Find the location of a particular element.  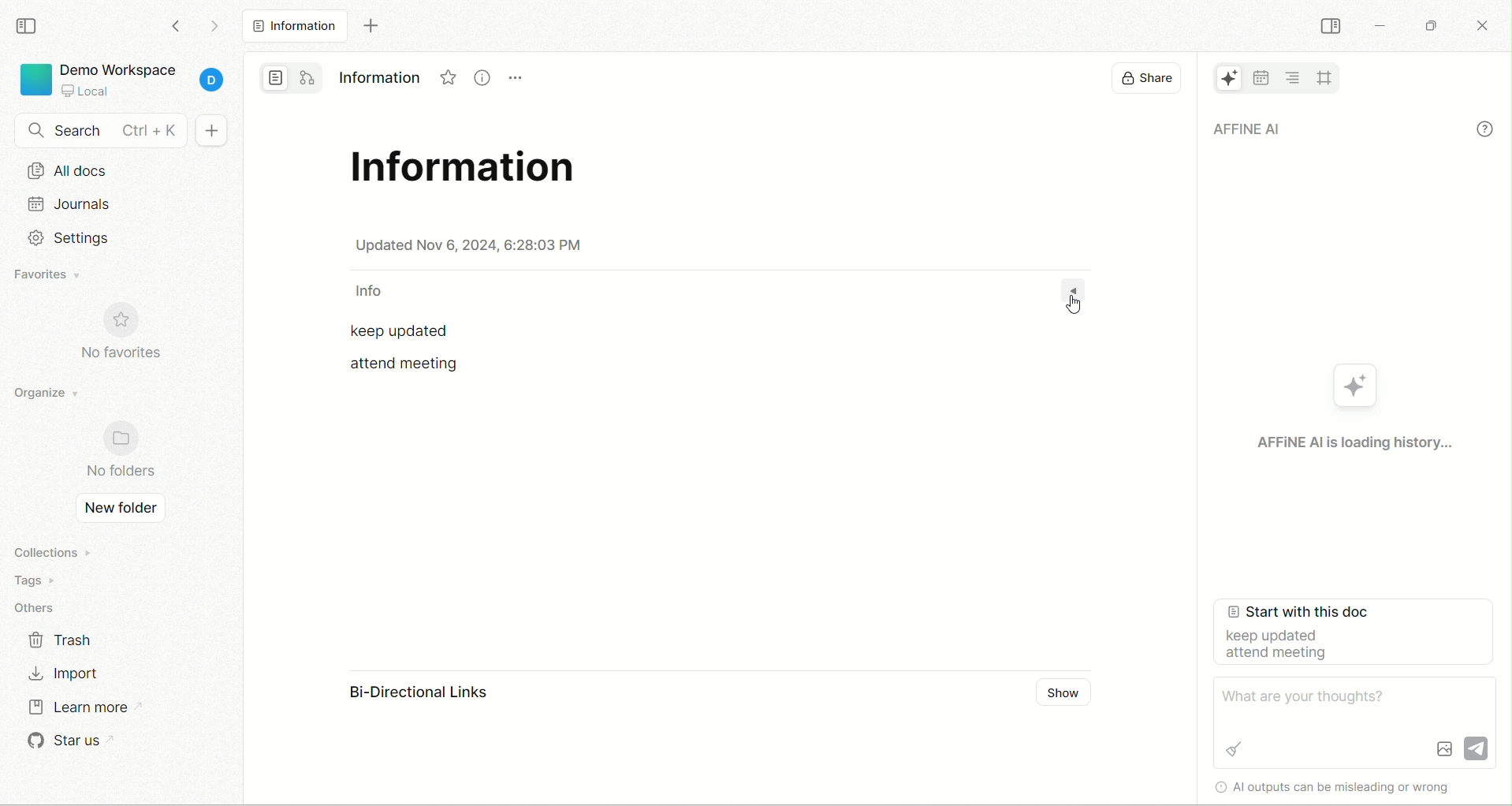

display is located at coordinates (1147, 80).